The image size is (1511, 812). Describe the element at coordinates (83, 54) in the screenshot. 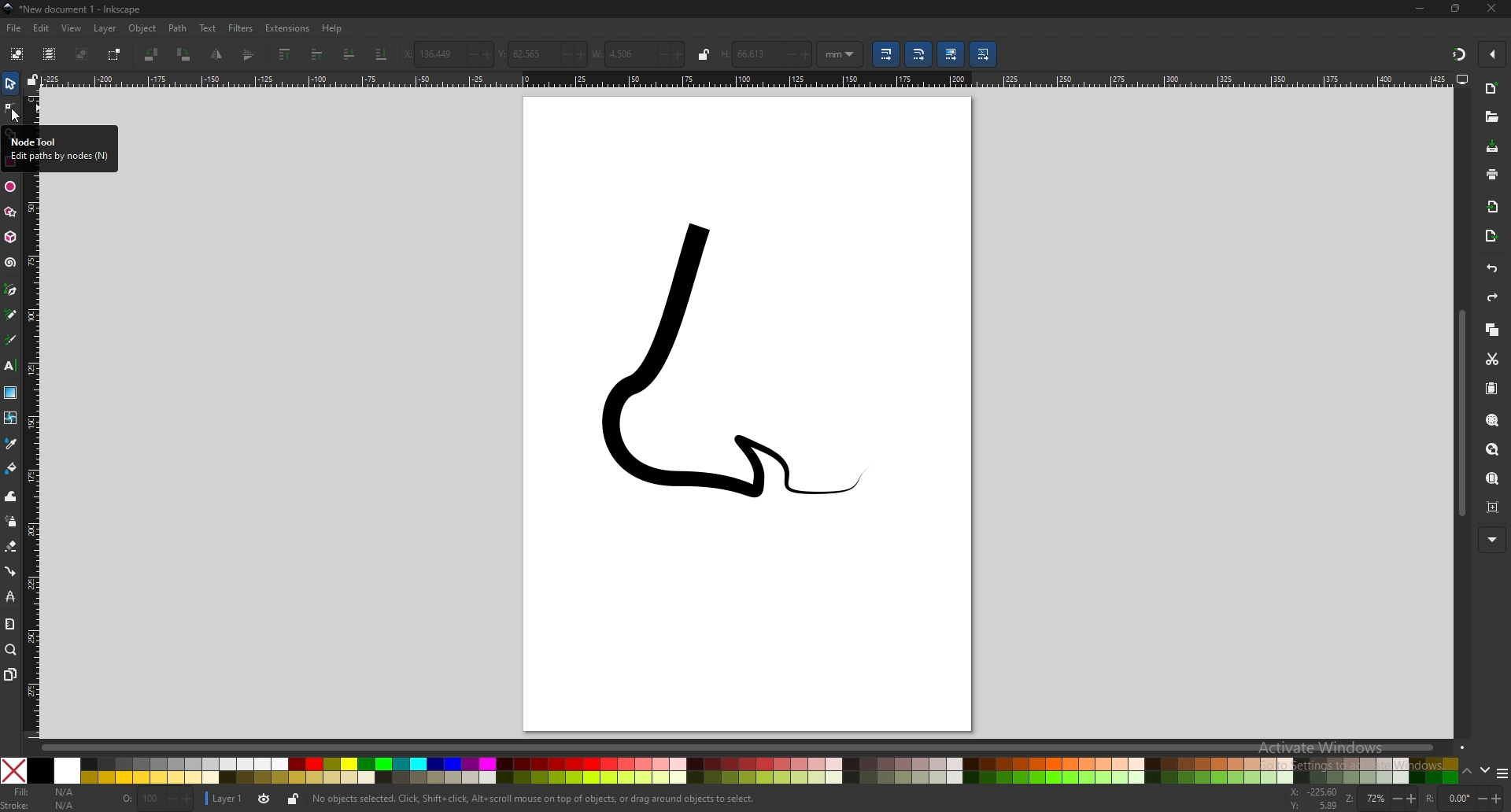

I see `deselect` at that location.